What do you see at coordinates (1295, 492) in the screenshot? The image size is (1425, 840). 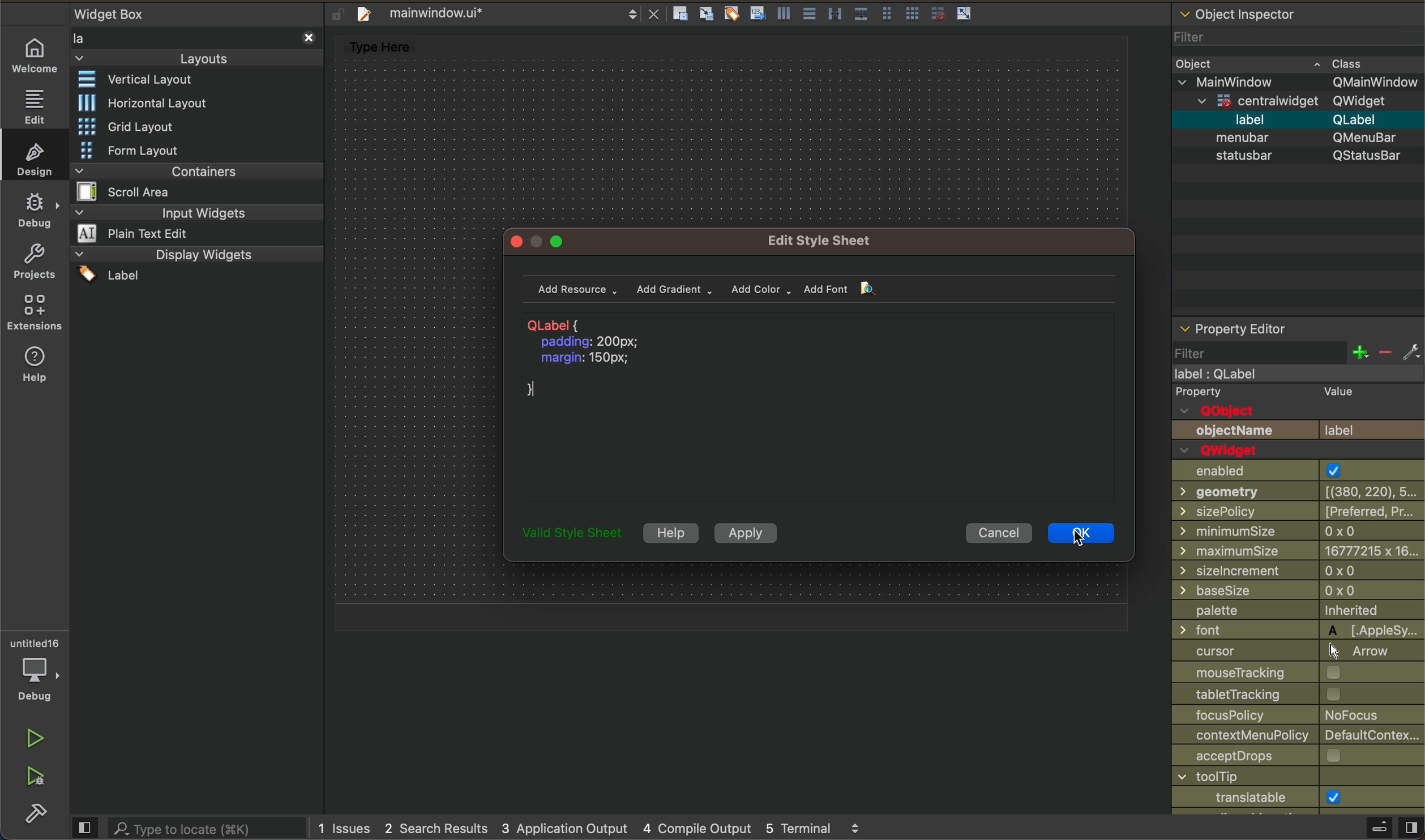 I see `geometry` at bounding box center [1295, 492].